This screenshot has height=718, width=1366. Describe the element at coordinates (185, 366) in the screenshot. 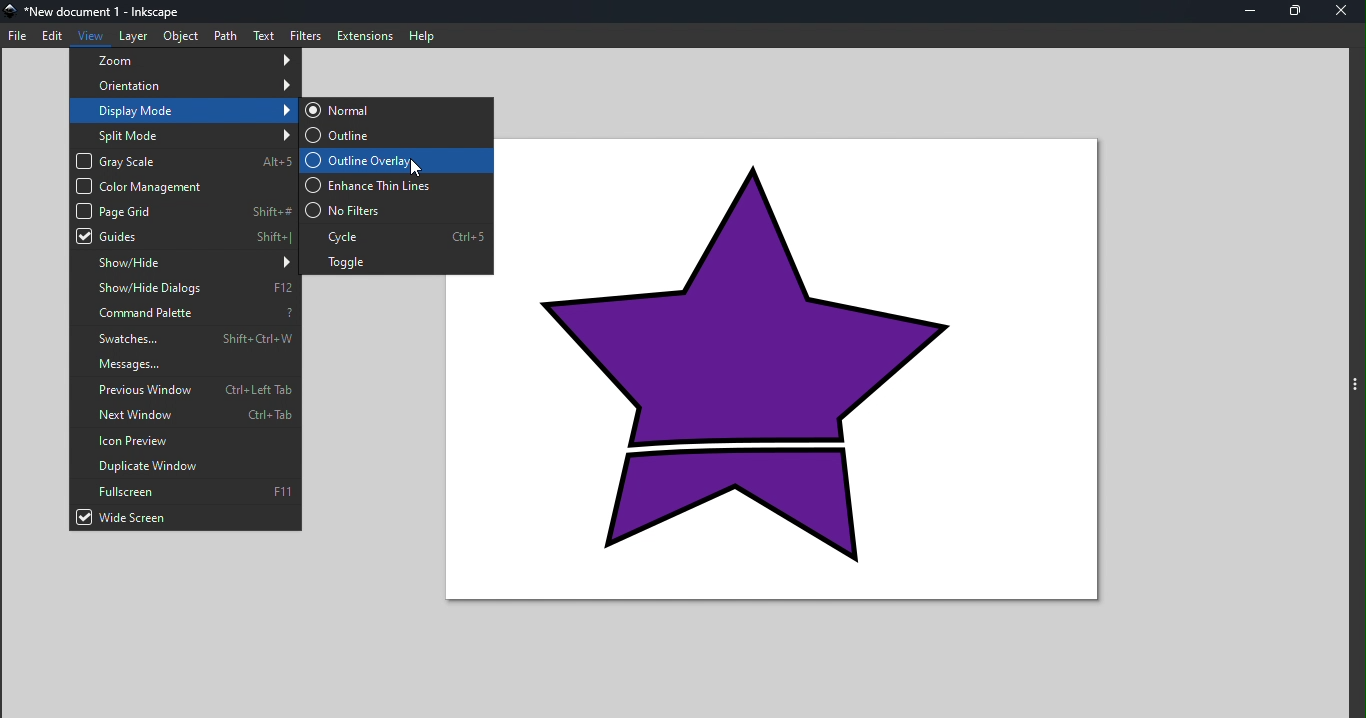

I see `Messages` at that location.